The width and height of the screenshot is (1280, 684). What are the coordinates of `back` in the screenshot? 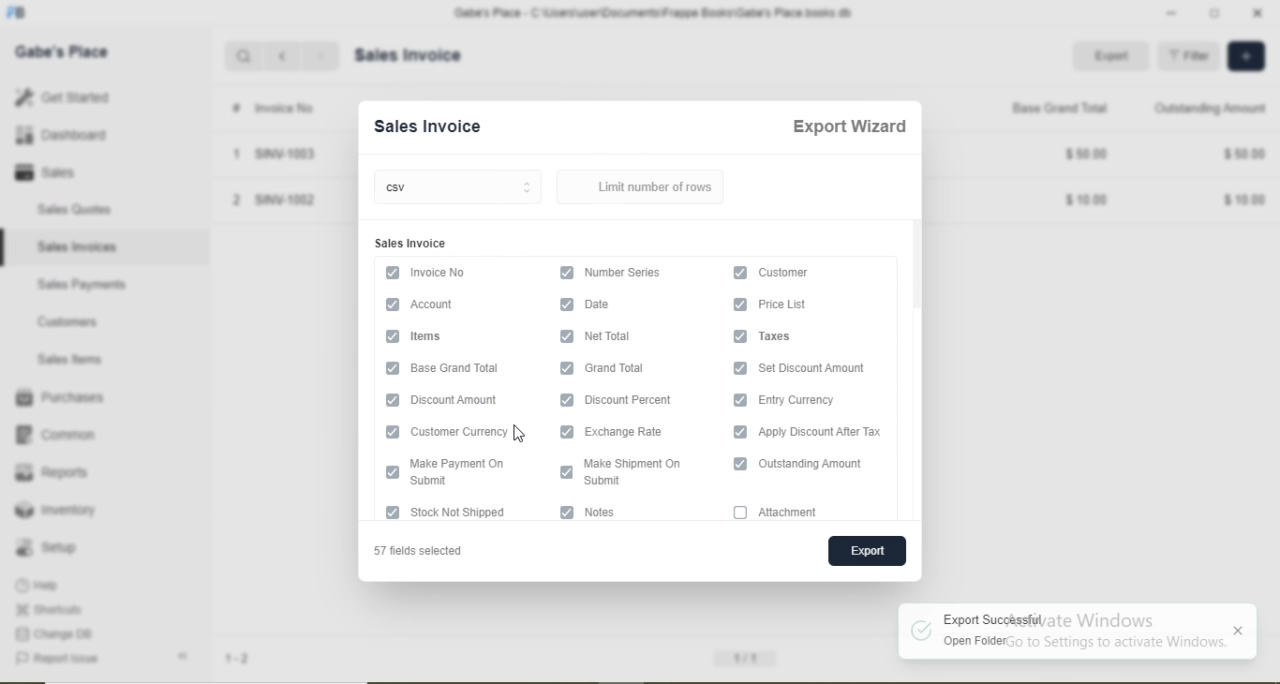 It's located at (282, 56).